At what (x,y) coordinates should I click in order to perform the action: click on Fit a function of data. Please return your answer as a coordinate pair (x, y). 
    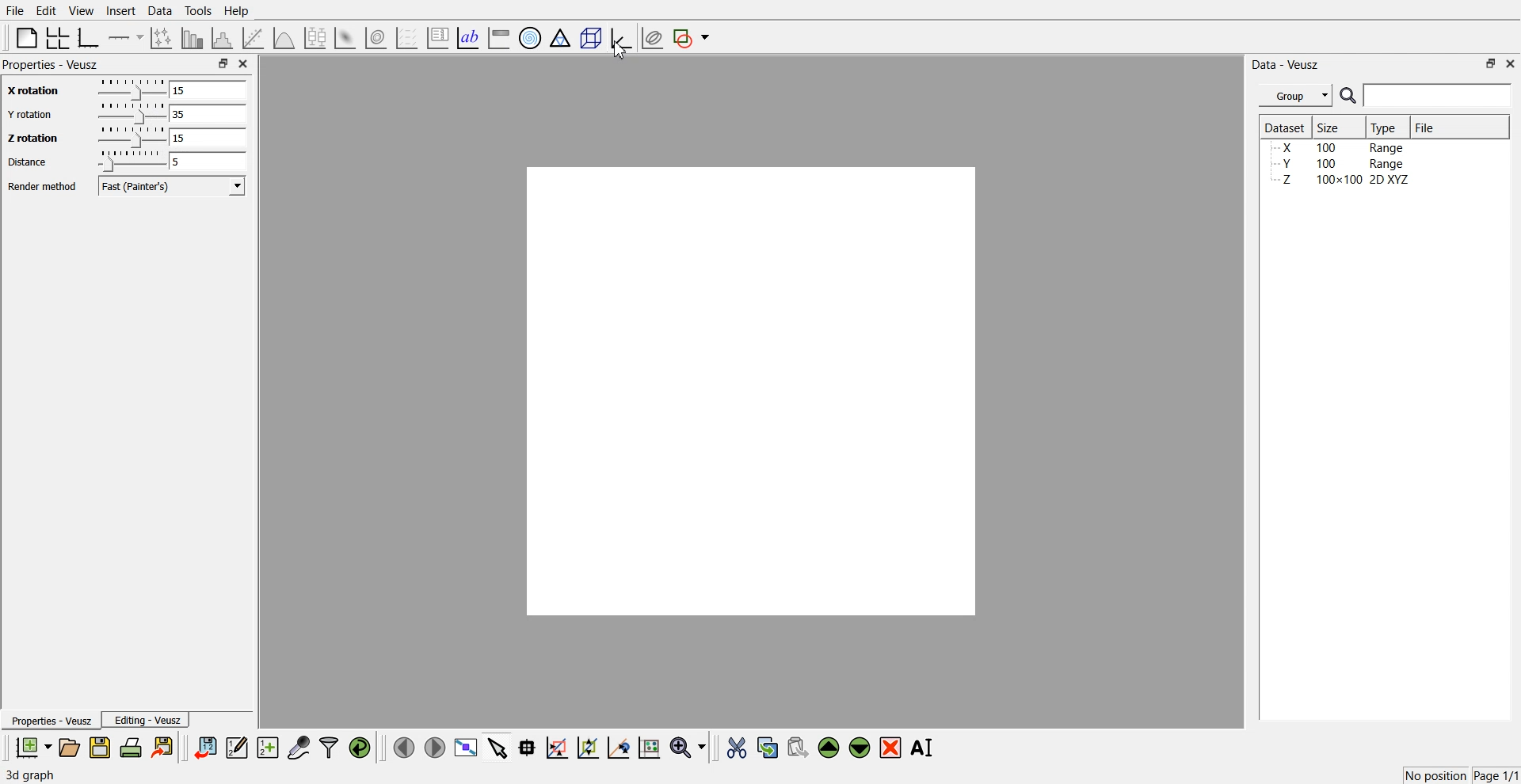
    Looking at the image, I should click on (252, 38).